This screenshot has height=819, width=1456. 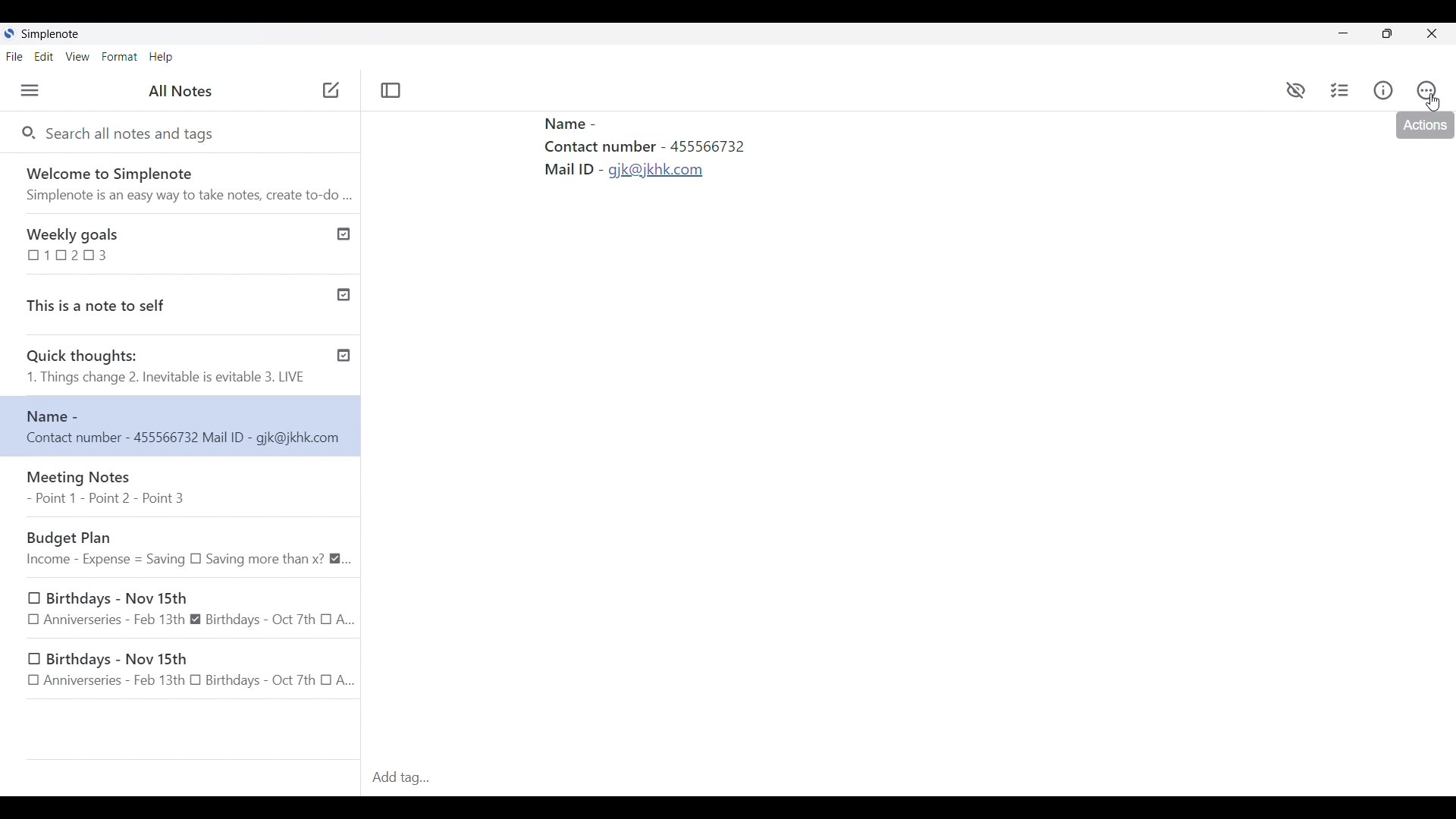 What do you see at coordinates (183, 488) in the screenshot?
I see `Meeting Notes - Point 1 - Point 2 - Point 3` at bounding box center [183, 488].